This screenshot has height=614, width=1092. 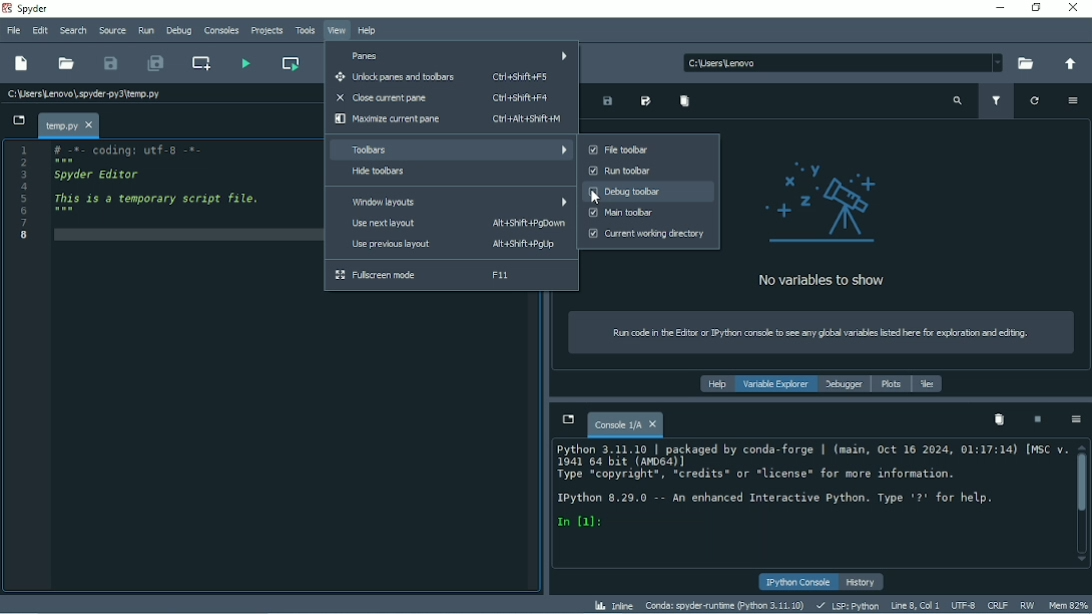 What do you see at coordinates (1066, 65) in the screenshot?
I see `Change to parent directory` at bounding box center [1066, 65].